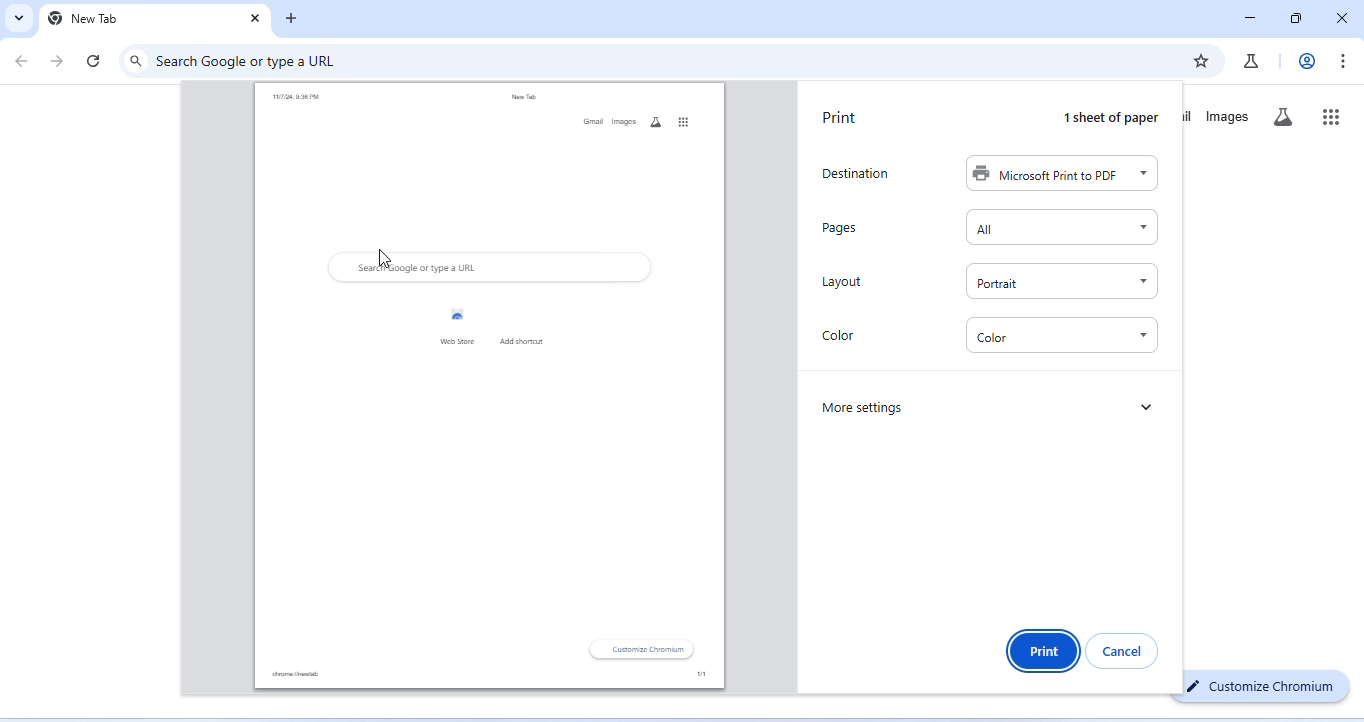 The height and width of the screenshot is (722, 1364). What do you see at coordinates (1295, 19) in the screenshot?
I see `maximize` at bounding box center [1295, 19].